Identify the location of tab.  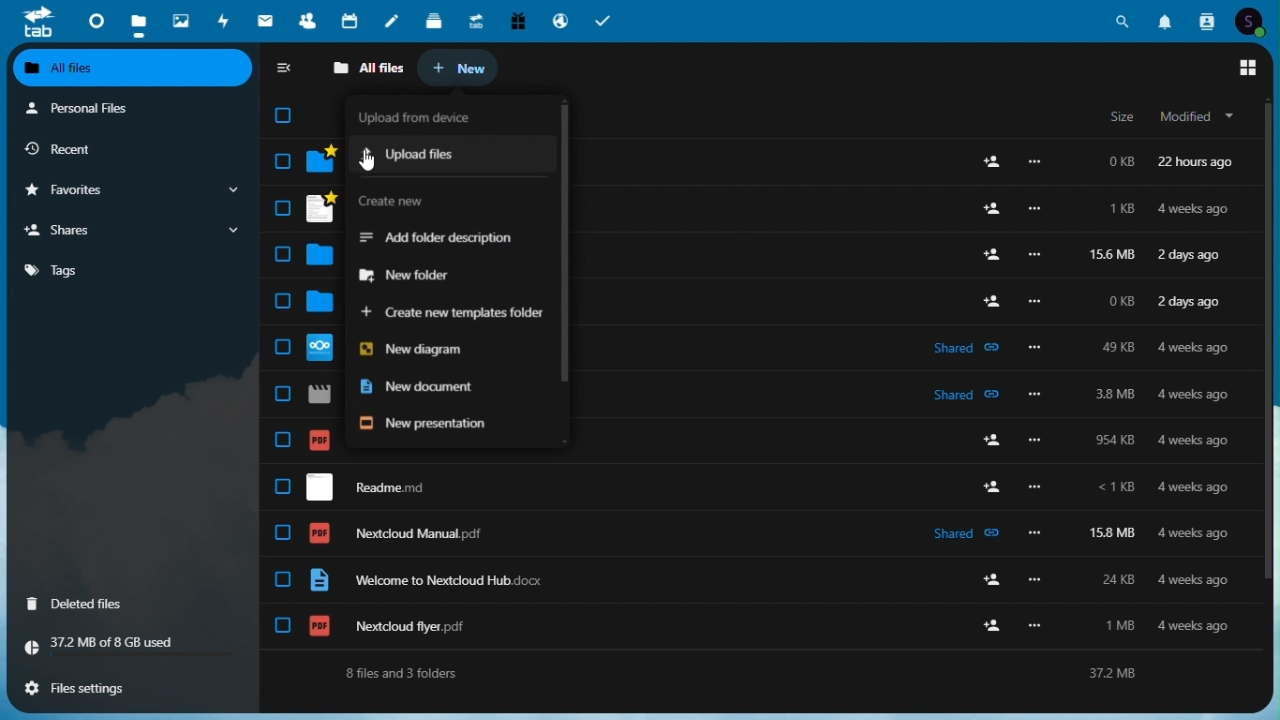
(36, 22).